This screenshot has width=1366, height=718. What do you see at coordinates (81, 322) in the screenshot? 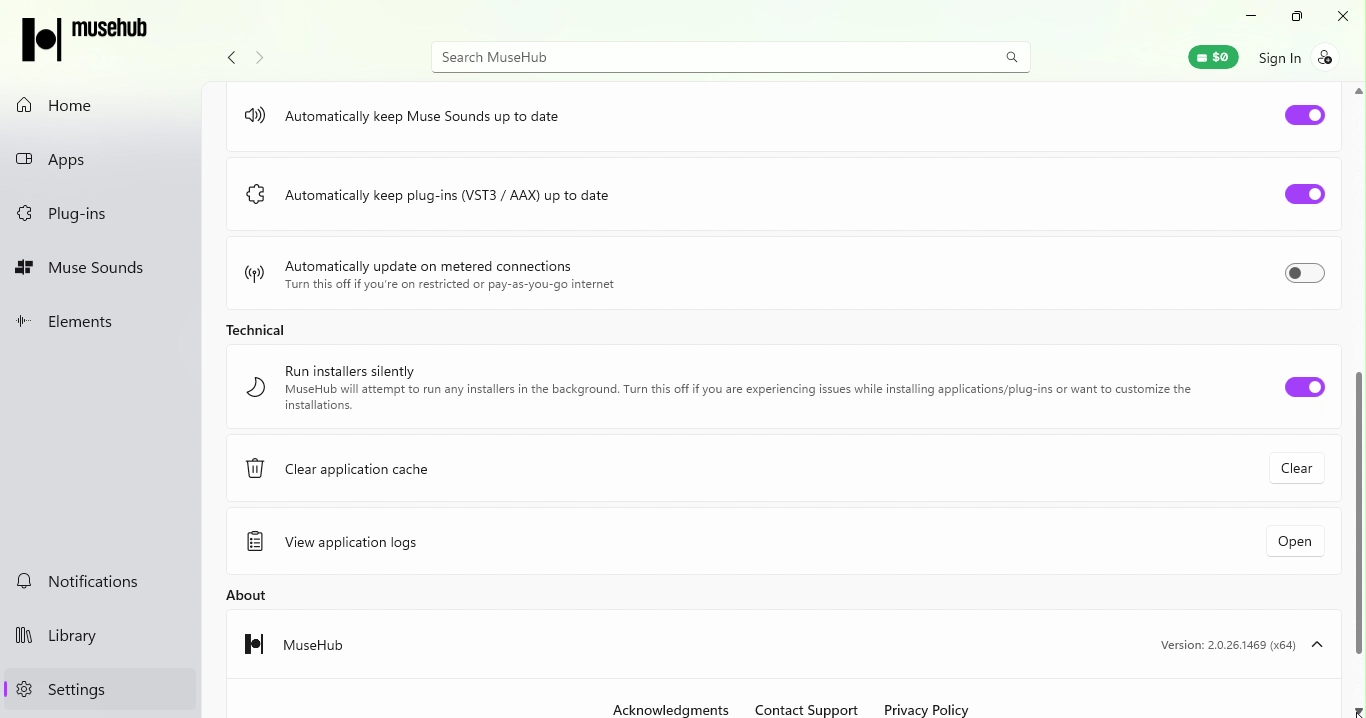
I see `Elements` at bounding box center [81, 322].